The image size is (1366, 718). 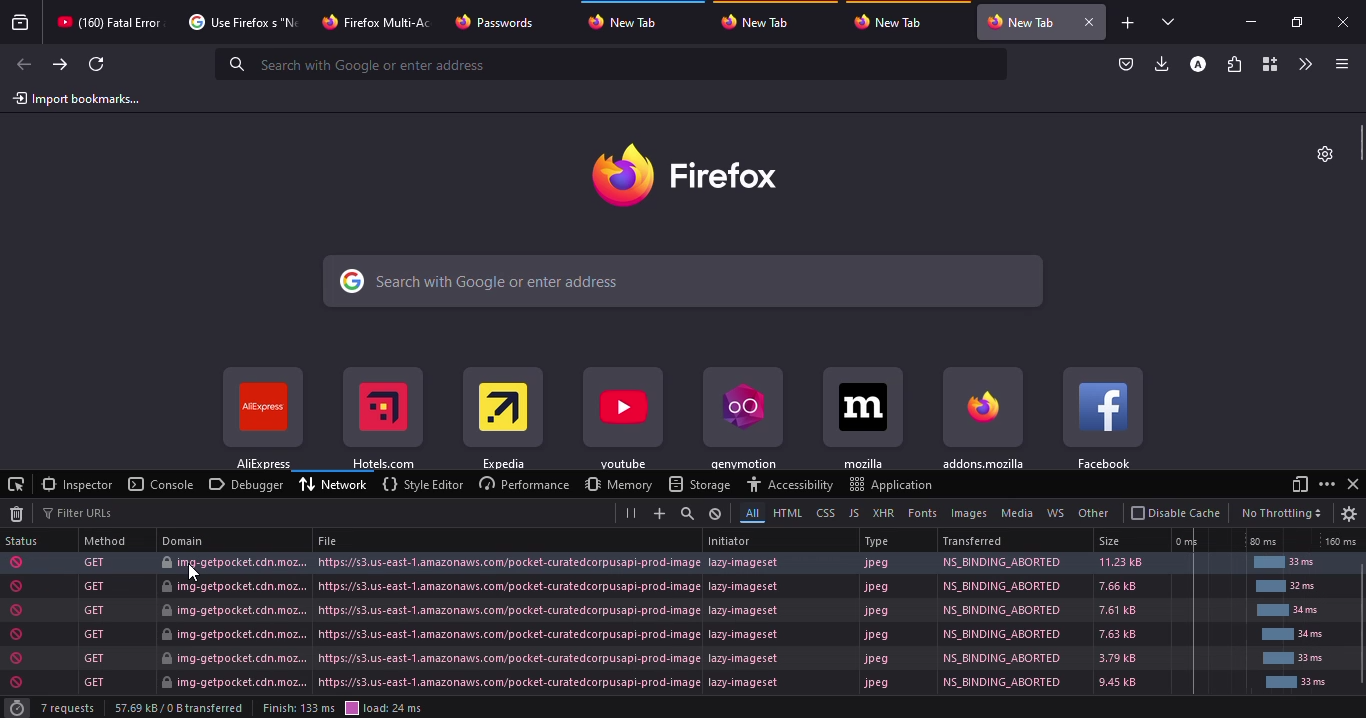 I want to click on disable cache, so click(x=1176, y=513).